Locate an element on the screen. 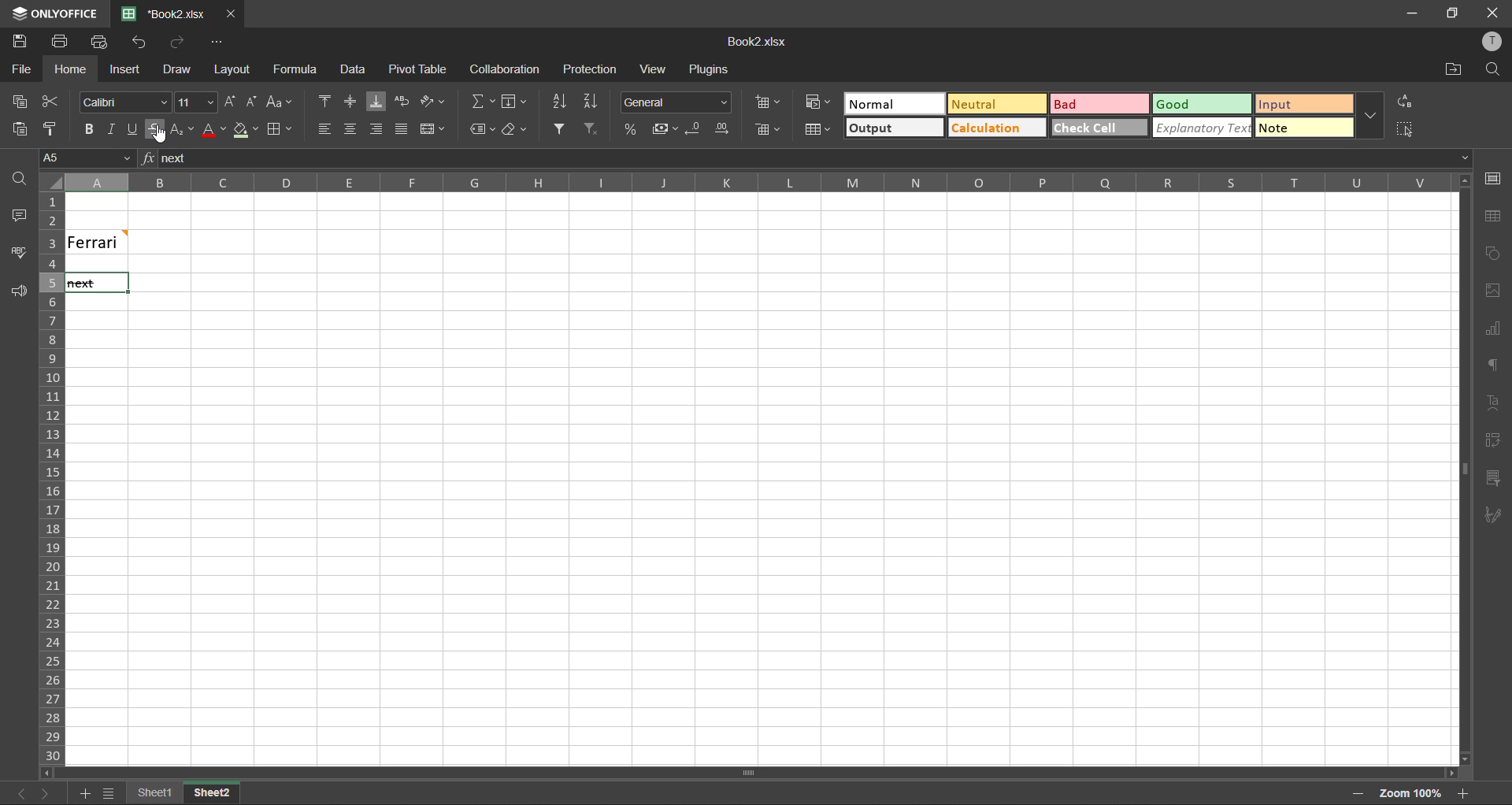 The height and width of the screenshot is (805, 1512). named ranges is located at coordinates (482, 129).